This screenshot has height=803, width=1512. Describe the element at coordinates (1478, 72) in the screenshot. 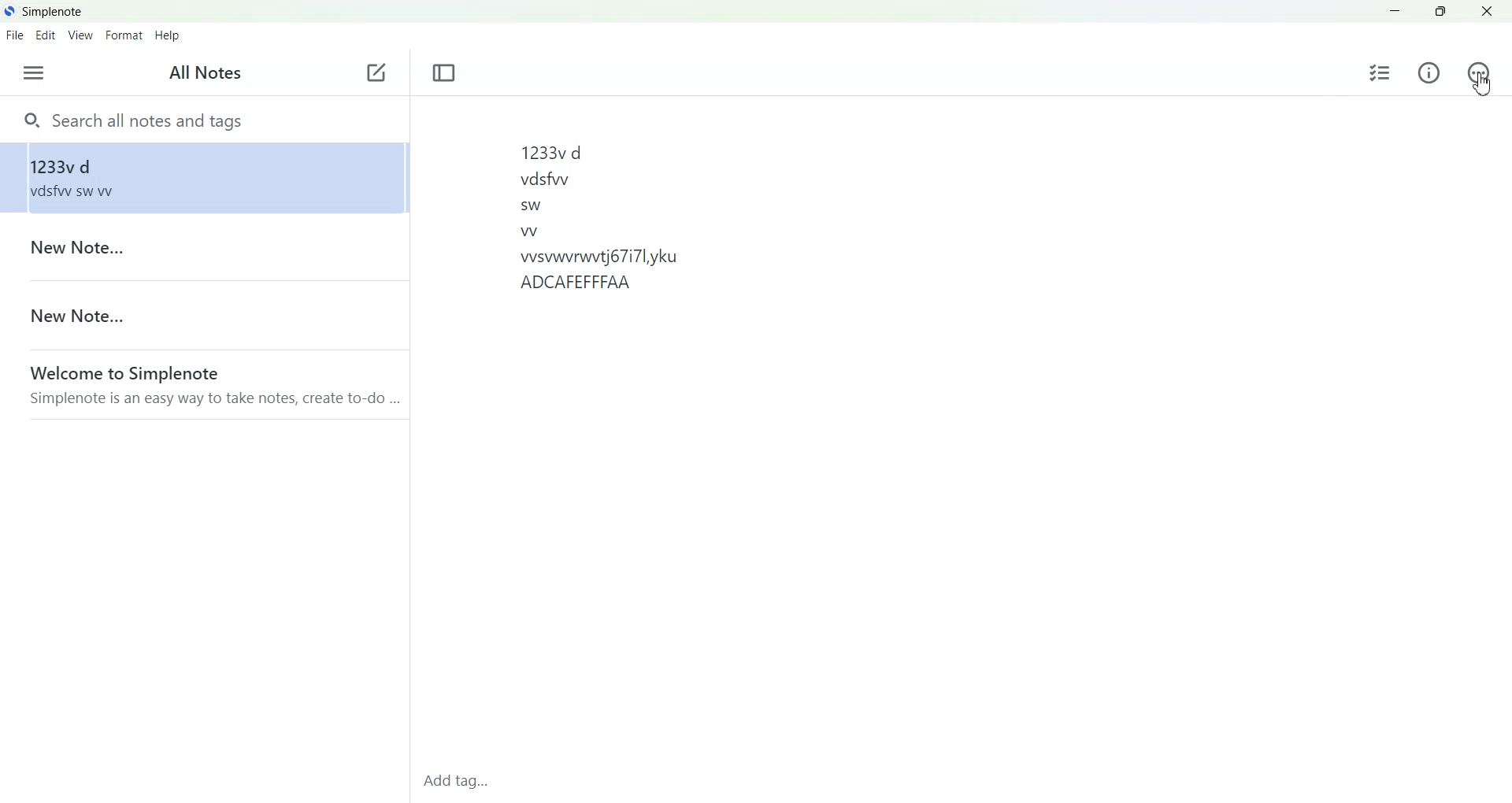

I see `Action` at that location.